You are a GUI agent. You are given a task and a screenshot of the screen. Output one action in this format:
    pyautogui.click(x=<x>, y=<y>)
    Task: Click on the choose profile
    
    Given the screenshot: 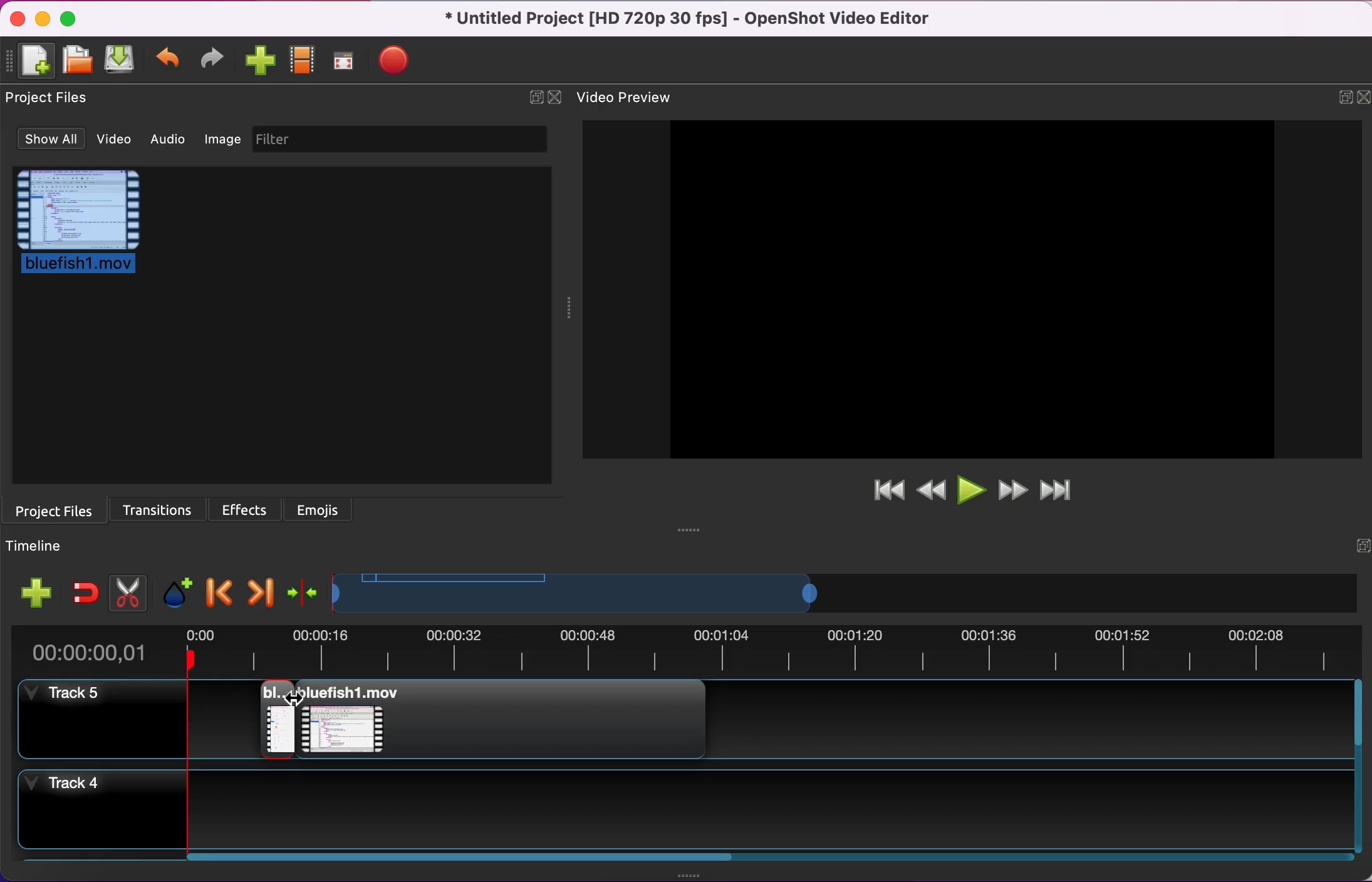 What is the action you would take?
    pyautogui.click(x=303, y=58)
    